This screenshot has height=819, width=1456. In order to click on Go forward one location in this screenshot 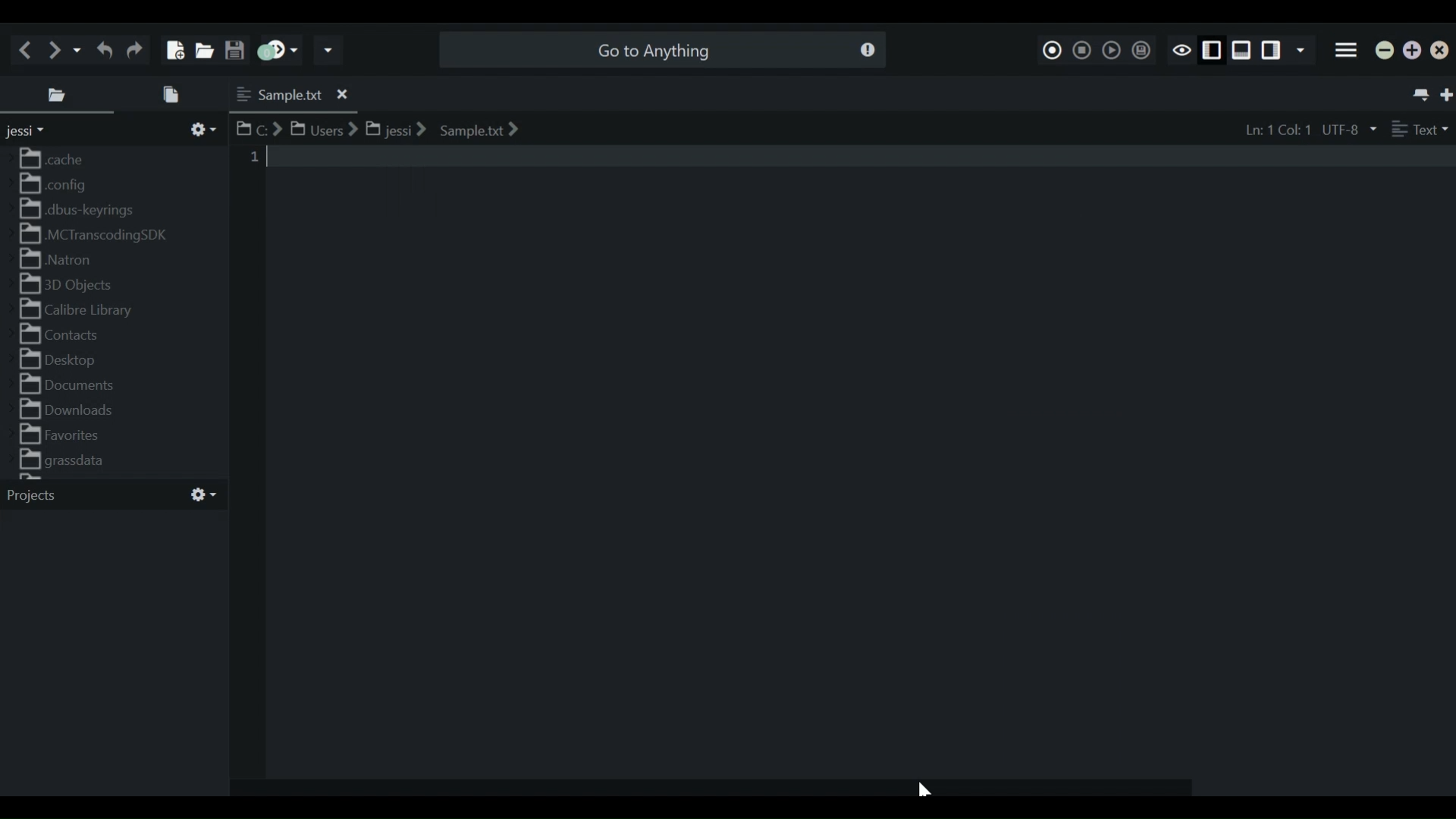, I will do `click(56, 49)`.